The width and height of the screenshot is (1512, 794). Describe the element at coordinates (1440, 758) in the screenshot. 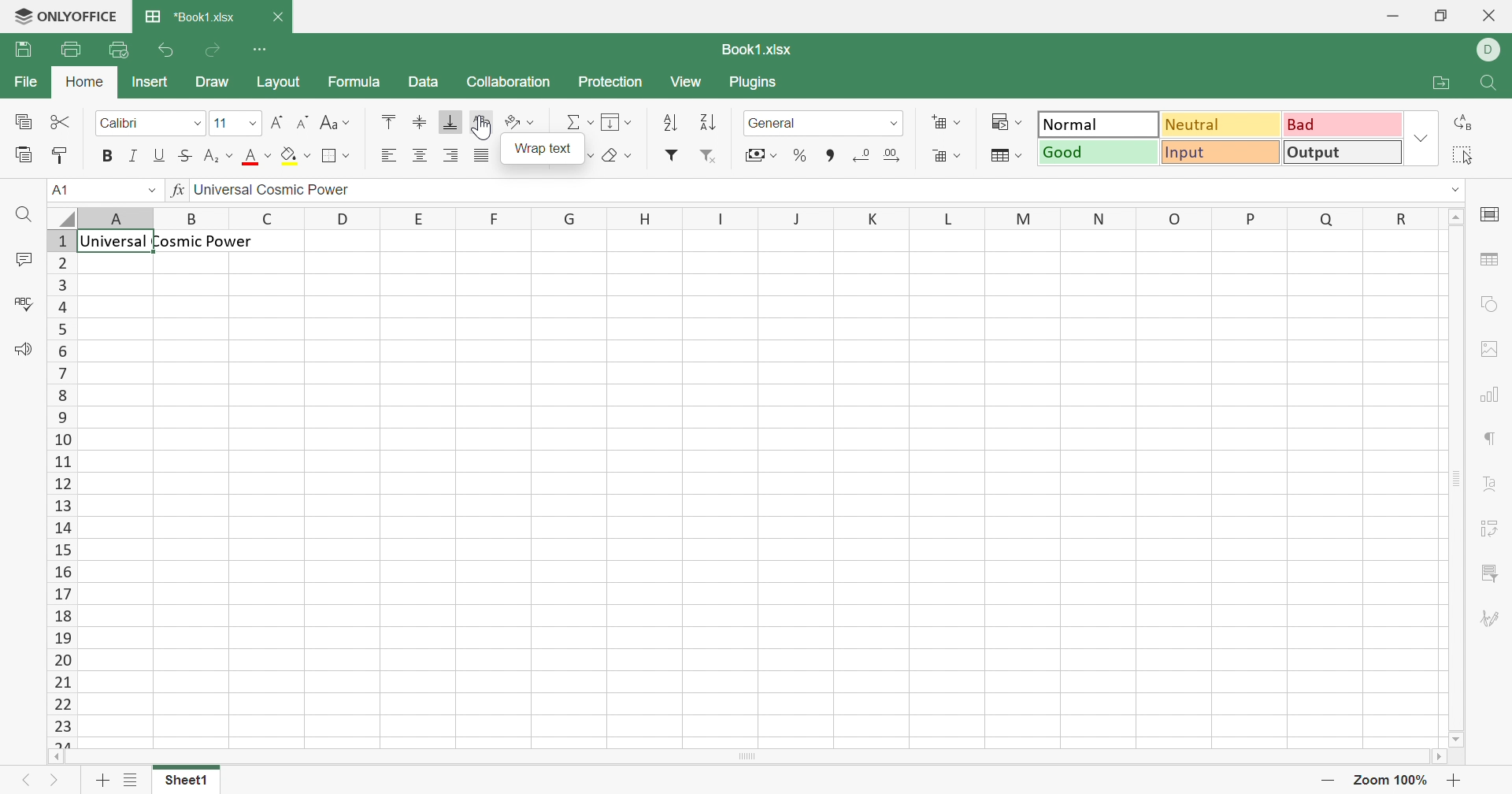

I see `Scroll Right` at that location.